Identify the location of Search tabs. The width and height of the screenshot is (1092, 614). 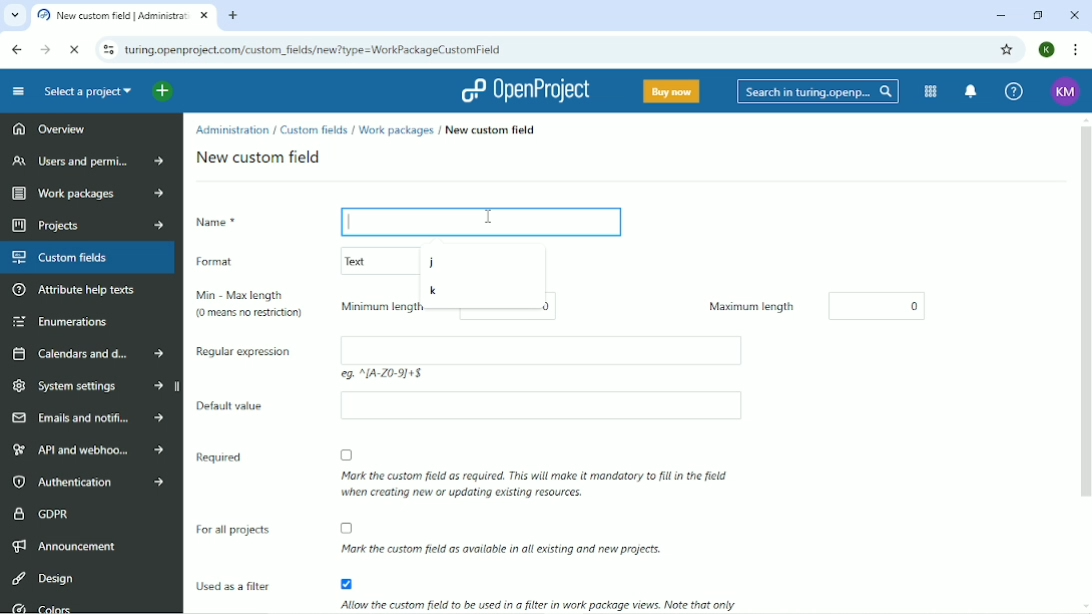
(14, 16).